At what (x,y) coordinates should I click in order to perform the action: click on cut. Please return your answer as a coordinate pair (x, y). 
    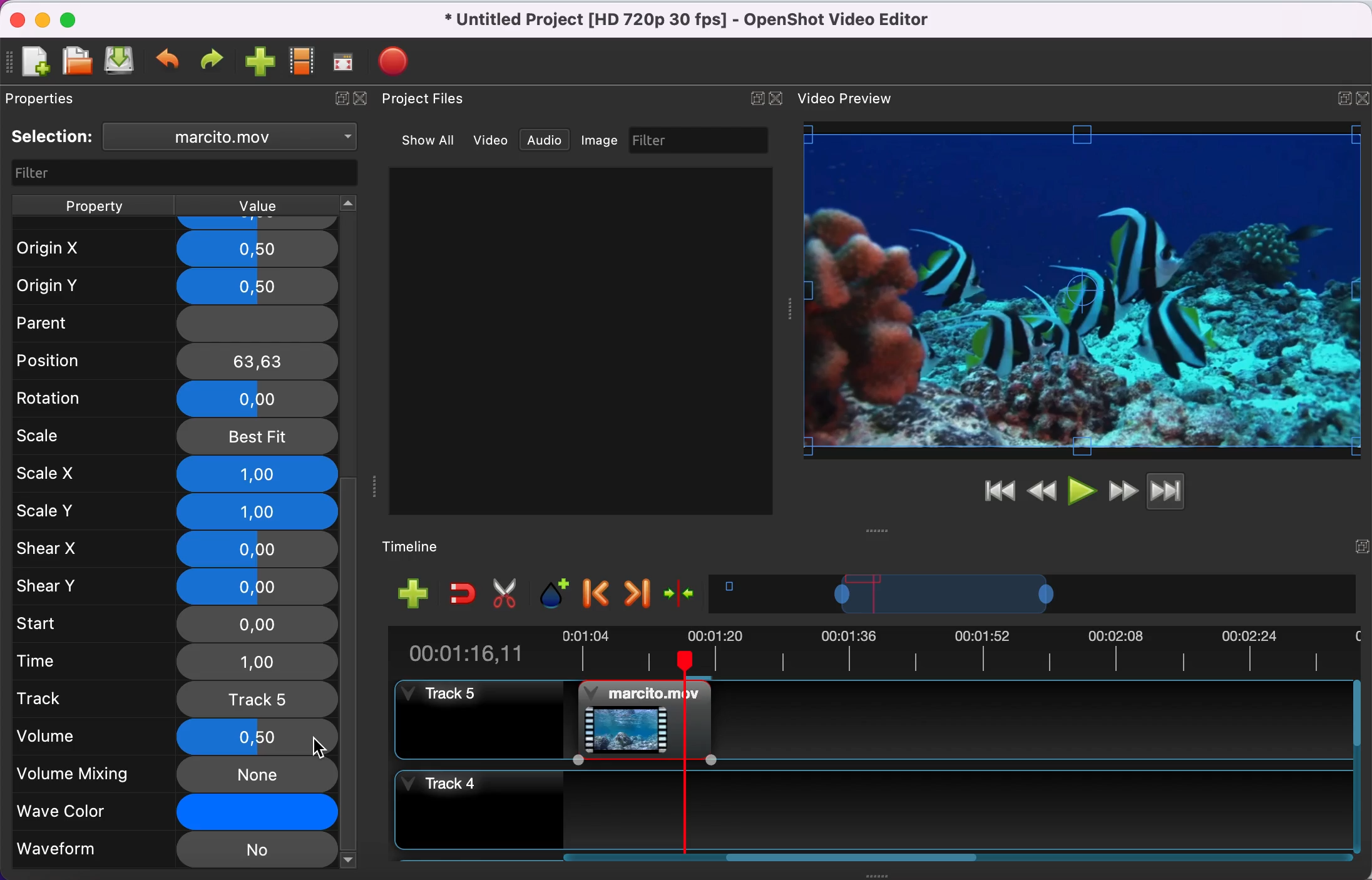
    Looking at the image, I should click on (509, 595).